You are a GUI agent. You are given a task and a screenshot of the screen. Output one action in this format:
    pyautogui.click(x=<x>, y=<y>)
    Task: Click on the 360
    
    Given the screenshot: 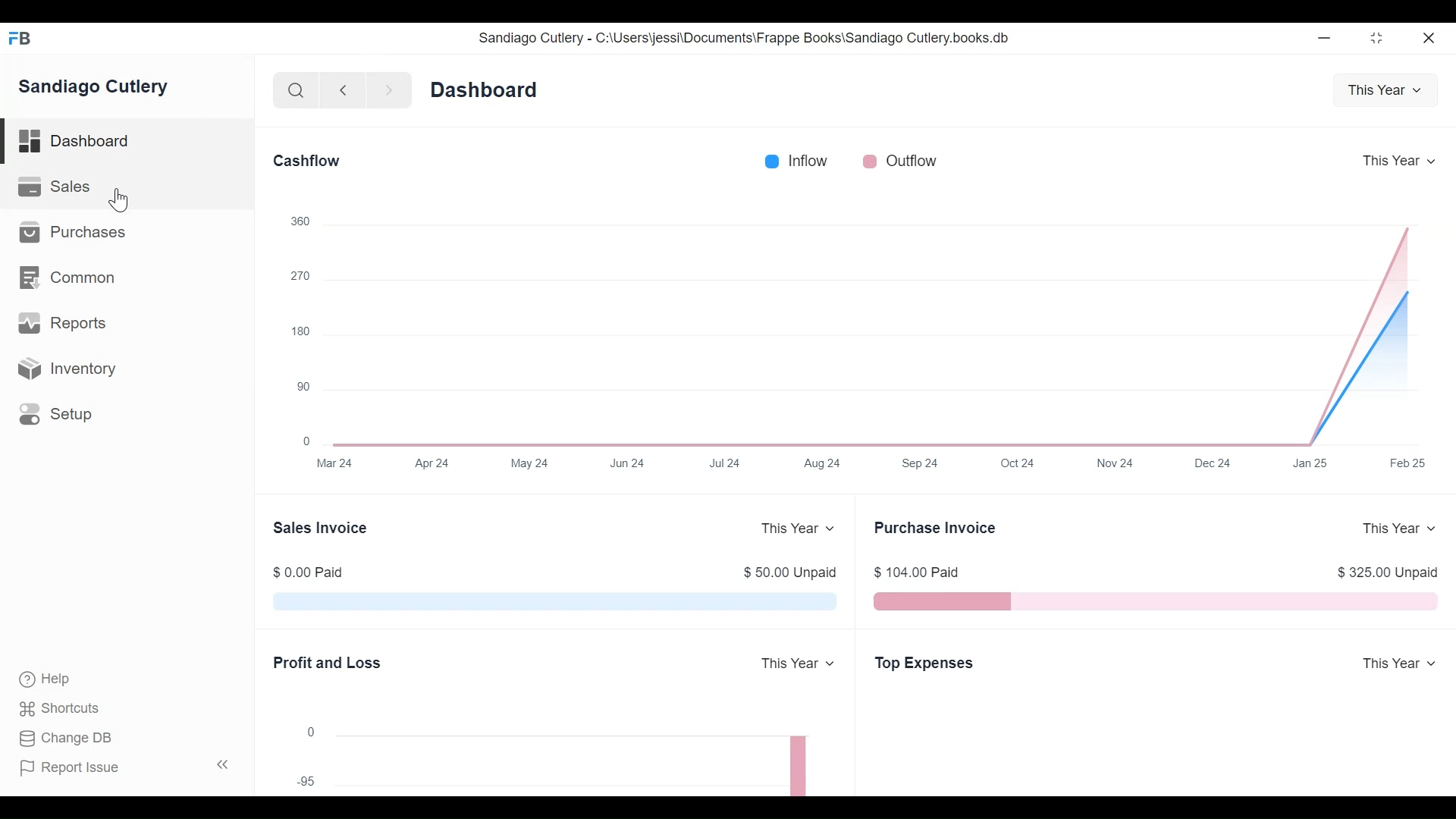 What is the action you would take?
    pyautogui.click(x=302, y=221)
    